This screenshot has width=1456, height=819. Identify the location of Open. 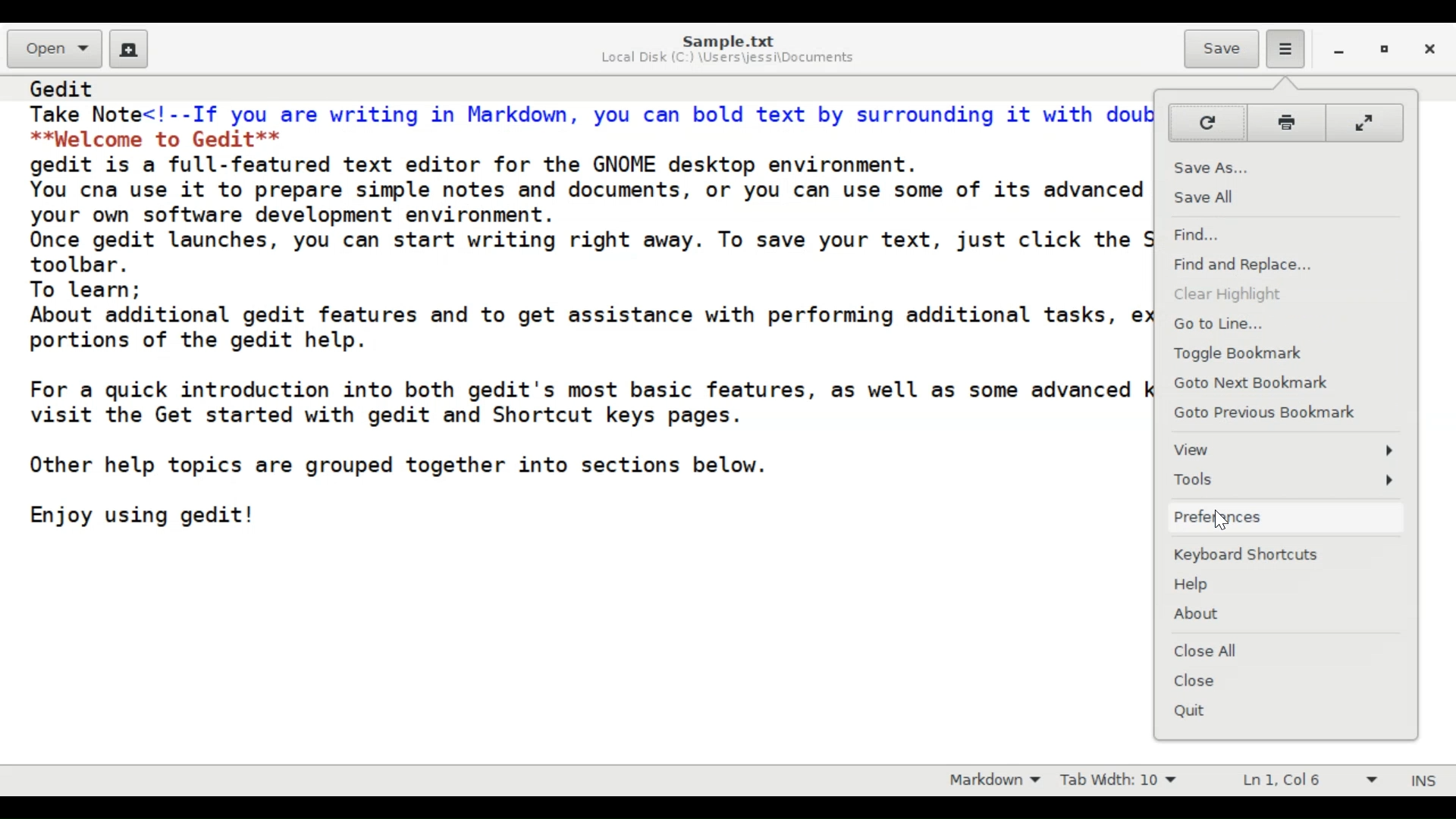
(57, 49).